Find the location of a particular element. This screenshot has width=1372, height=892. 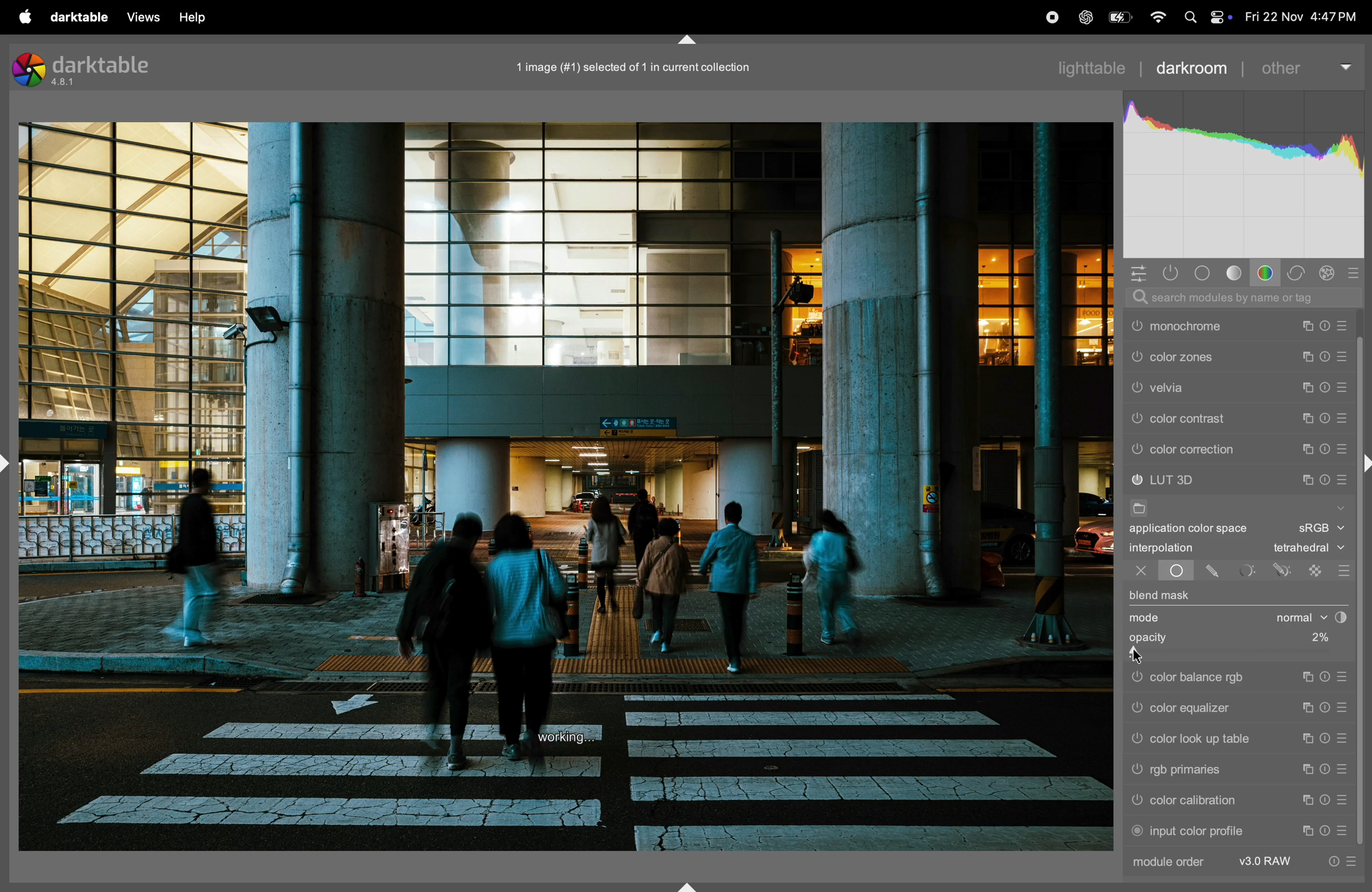

color calibration is located at coordinates (1205, 800).